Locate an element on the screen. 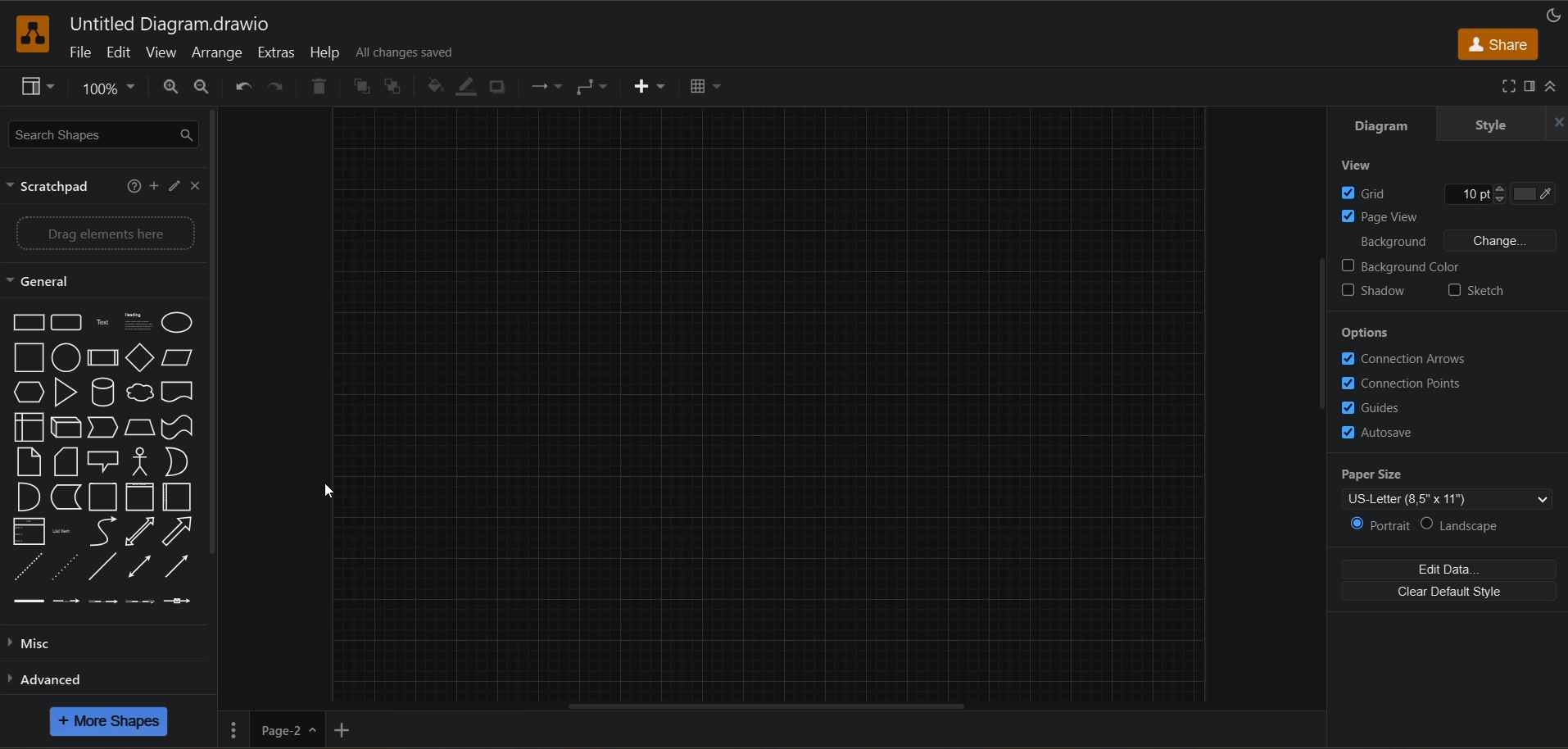  style is located at coordinates (1487, 125).